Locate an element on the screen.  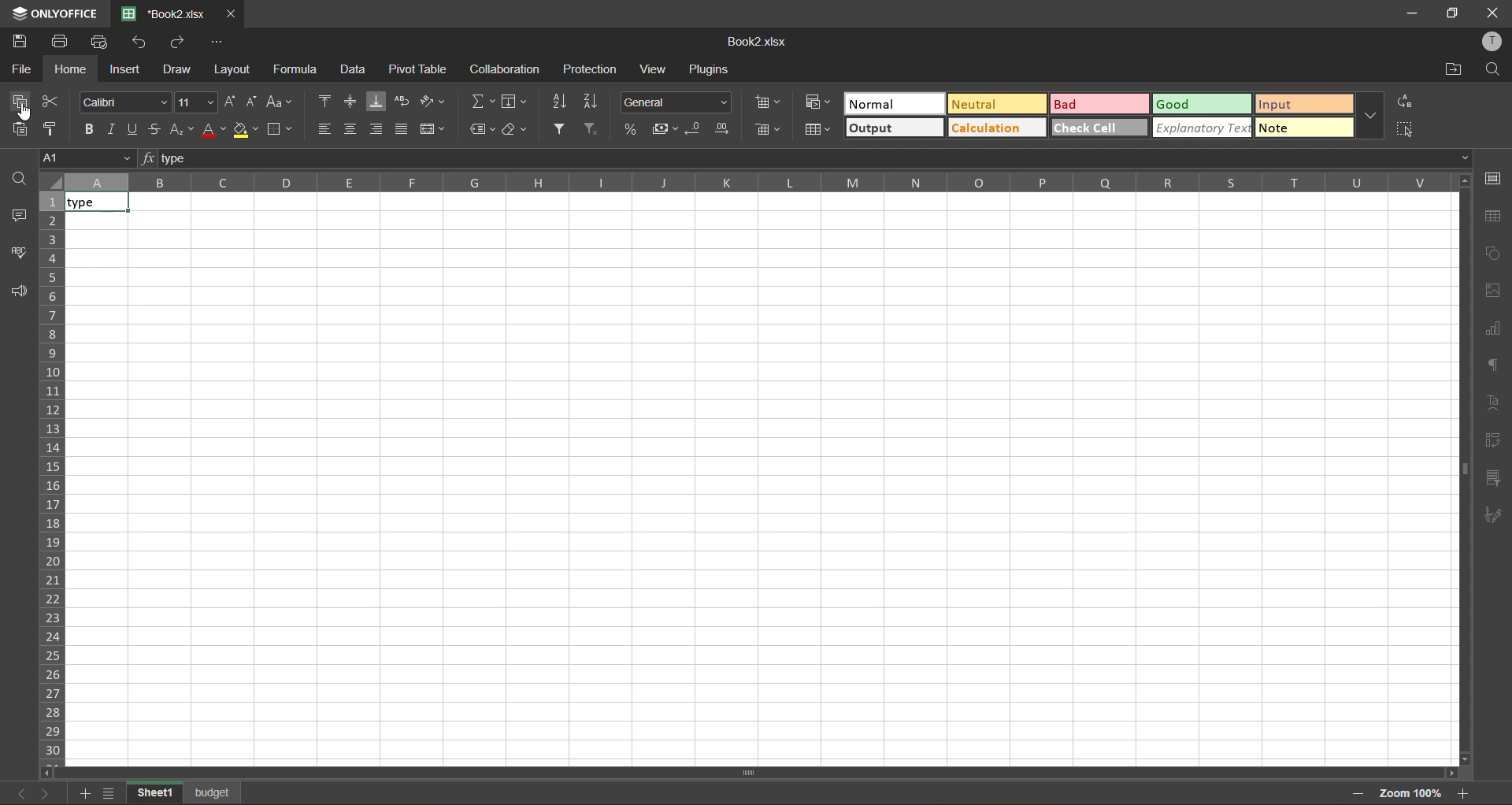
orientation is located at coordinates (429, 100).